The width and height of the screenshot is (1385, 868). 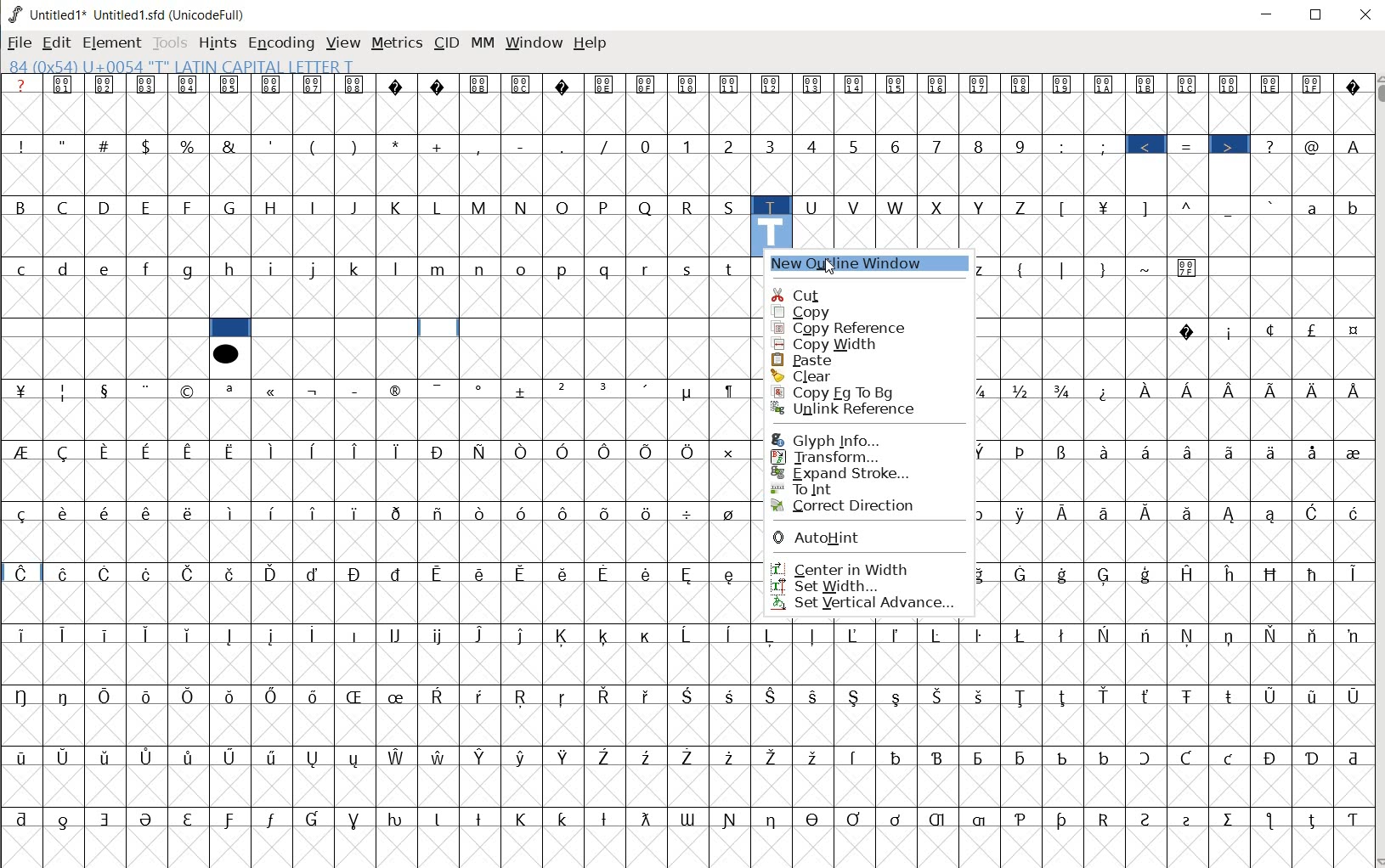 I want to click on 0, so click(x=647, y=146).